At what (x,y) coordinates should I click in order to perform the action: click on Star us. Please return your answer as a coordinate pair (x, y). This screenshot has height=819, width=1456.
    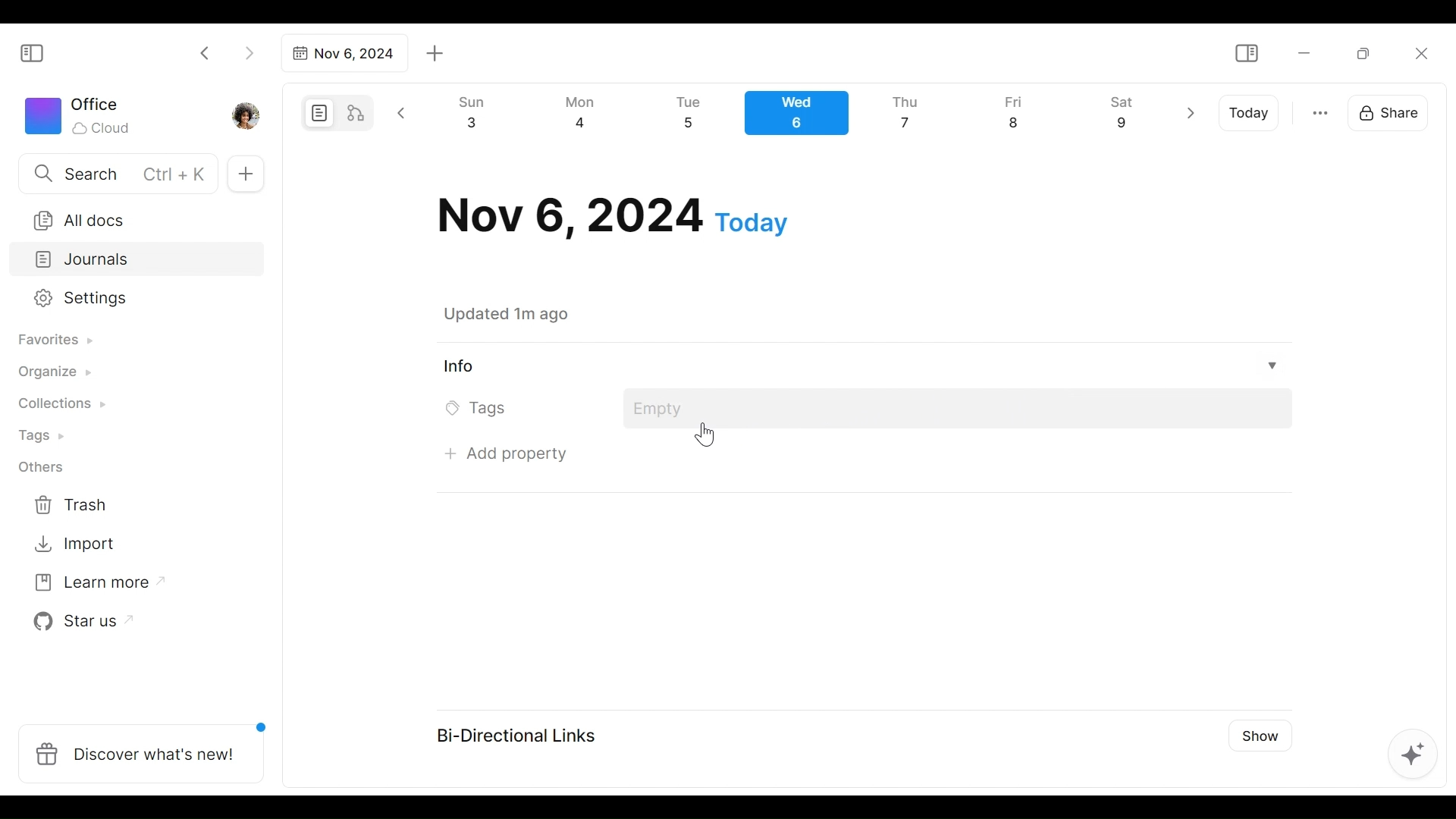
    Looking at the image, I should click on (79, 622).